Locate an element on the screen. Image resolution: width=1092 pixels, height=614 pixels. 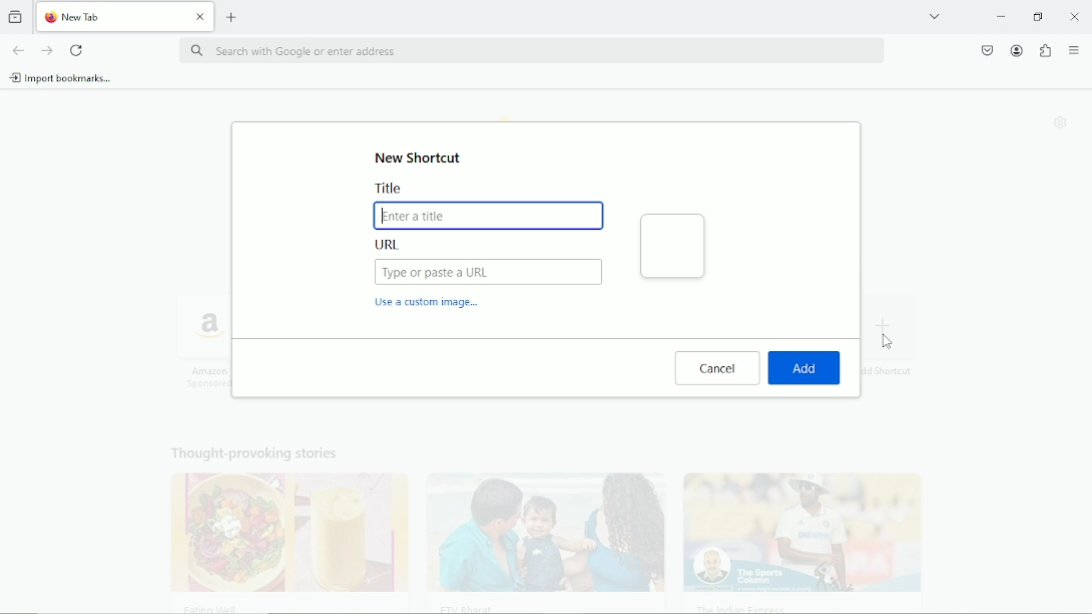
go forward is located at coordinates (48, 51).